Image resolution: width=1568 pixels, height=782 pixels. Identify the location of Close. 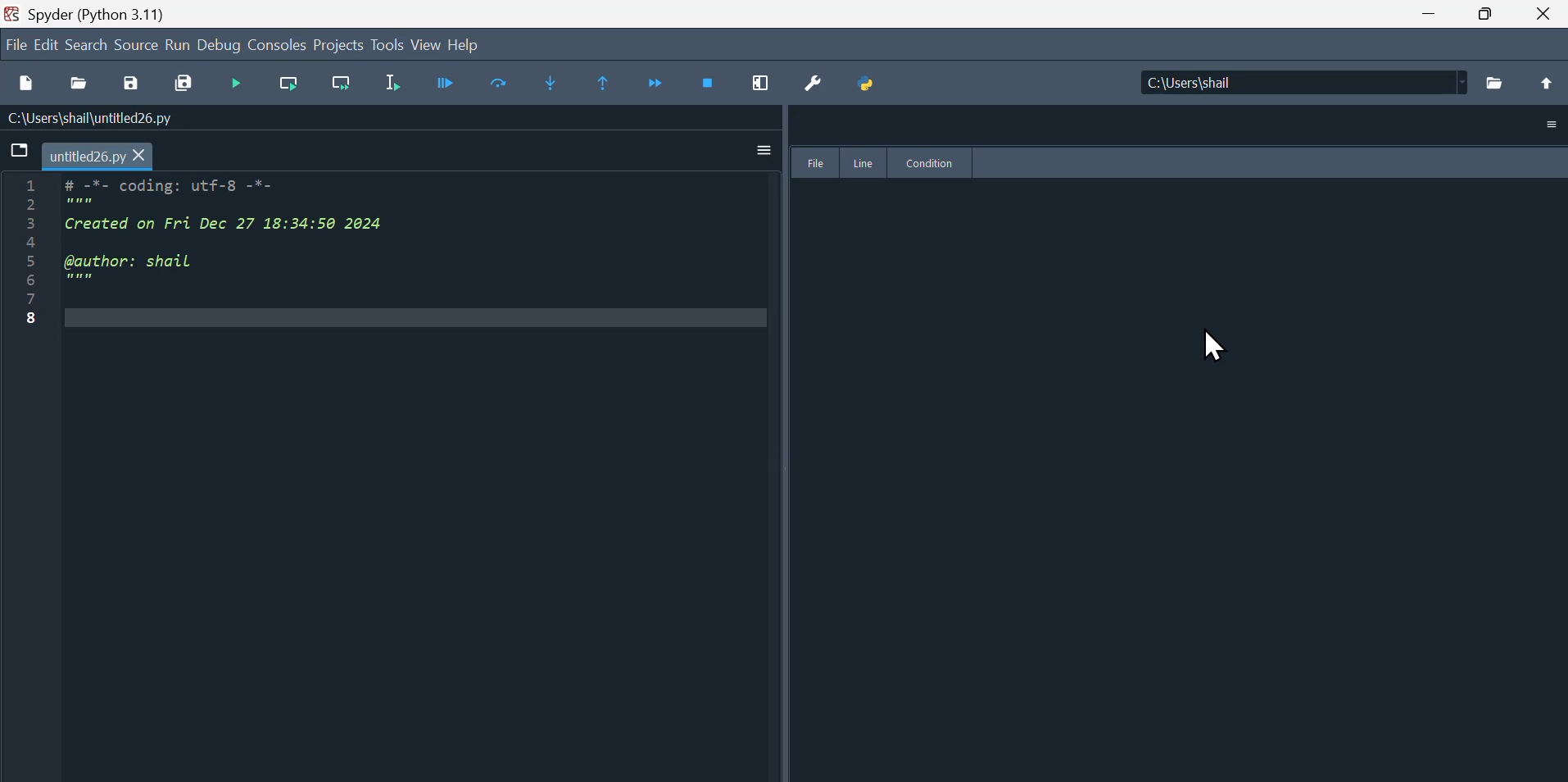
(1545, 16).